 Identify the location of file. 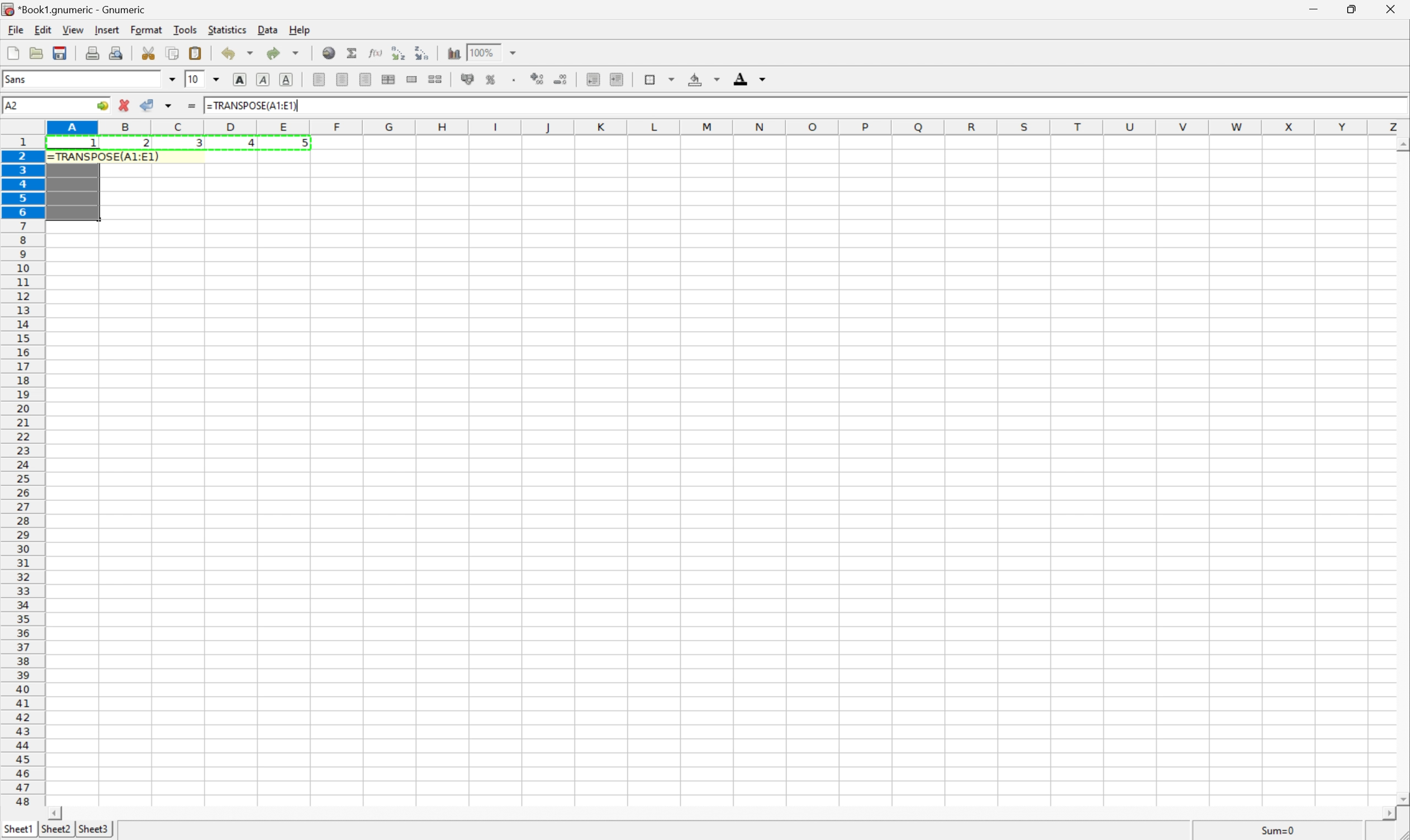
(11, 29).